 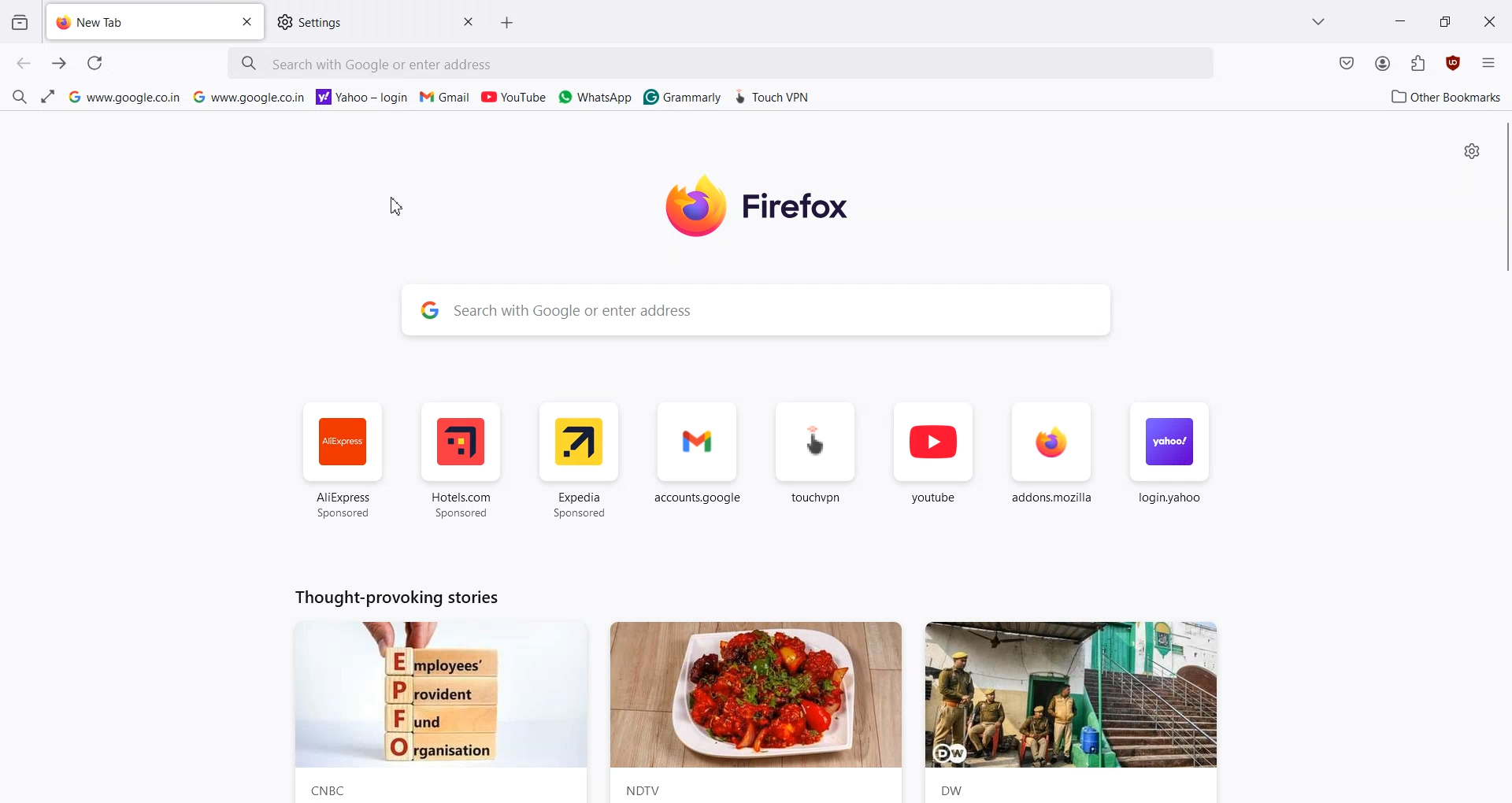 I want to click on Close, so click(x=466, y=21).